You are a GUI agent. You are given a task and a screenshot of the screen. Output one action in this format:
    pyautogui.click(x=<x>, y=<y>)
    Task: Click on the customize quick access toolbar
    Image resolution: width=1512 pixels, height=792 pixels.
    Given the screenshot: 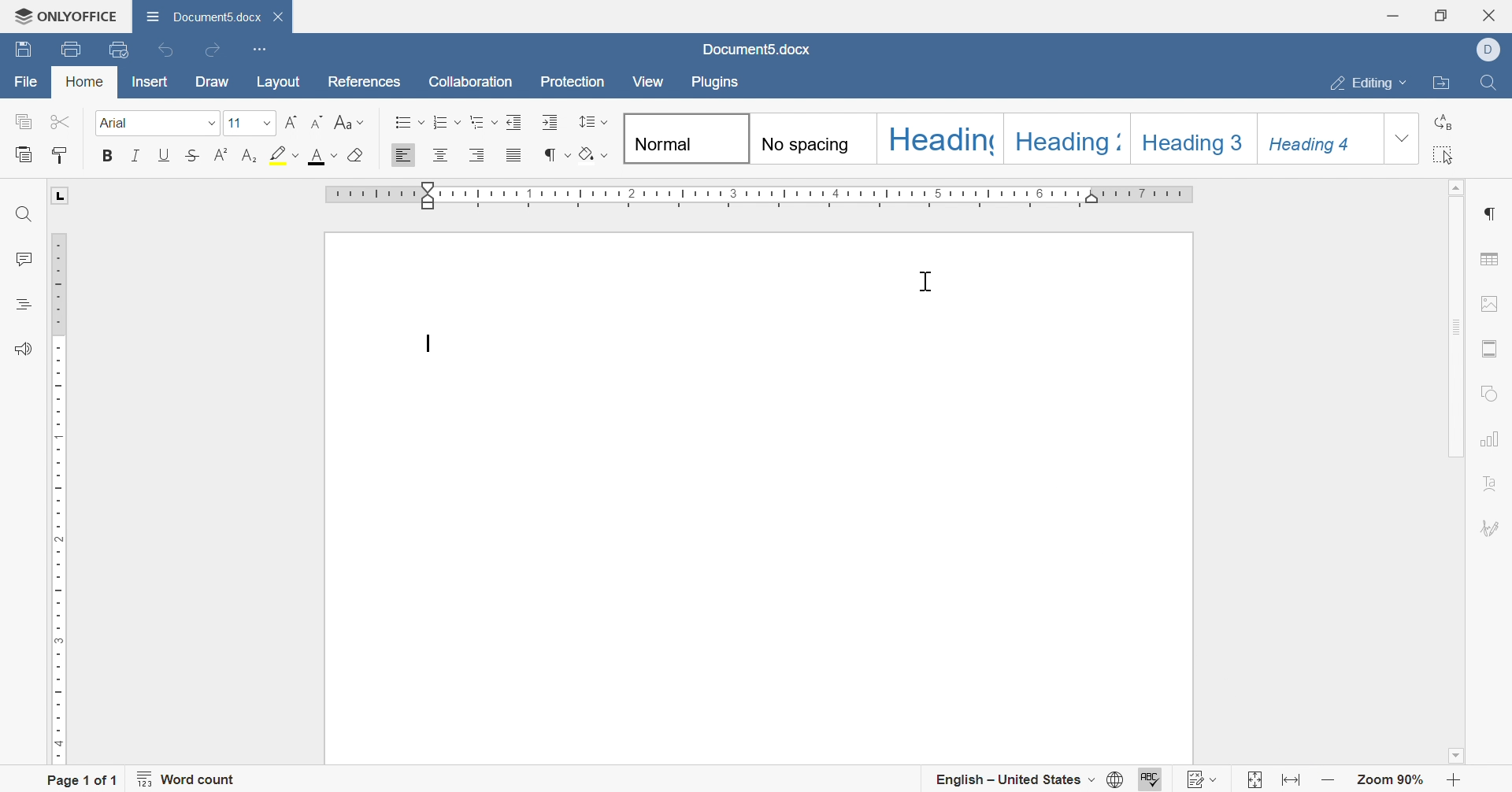 What is the action you would take?
    pyautogui.click(x=261, y=49)
    